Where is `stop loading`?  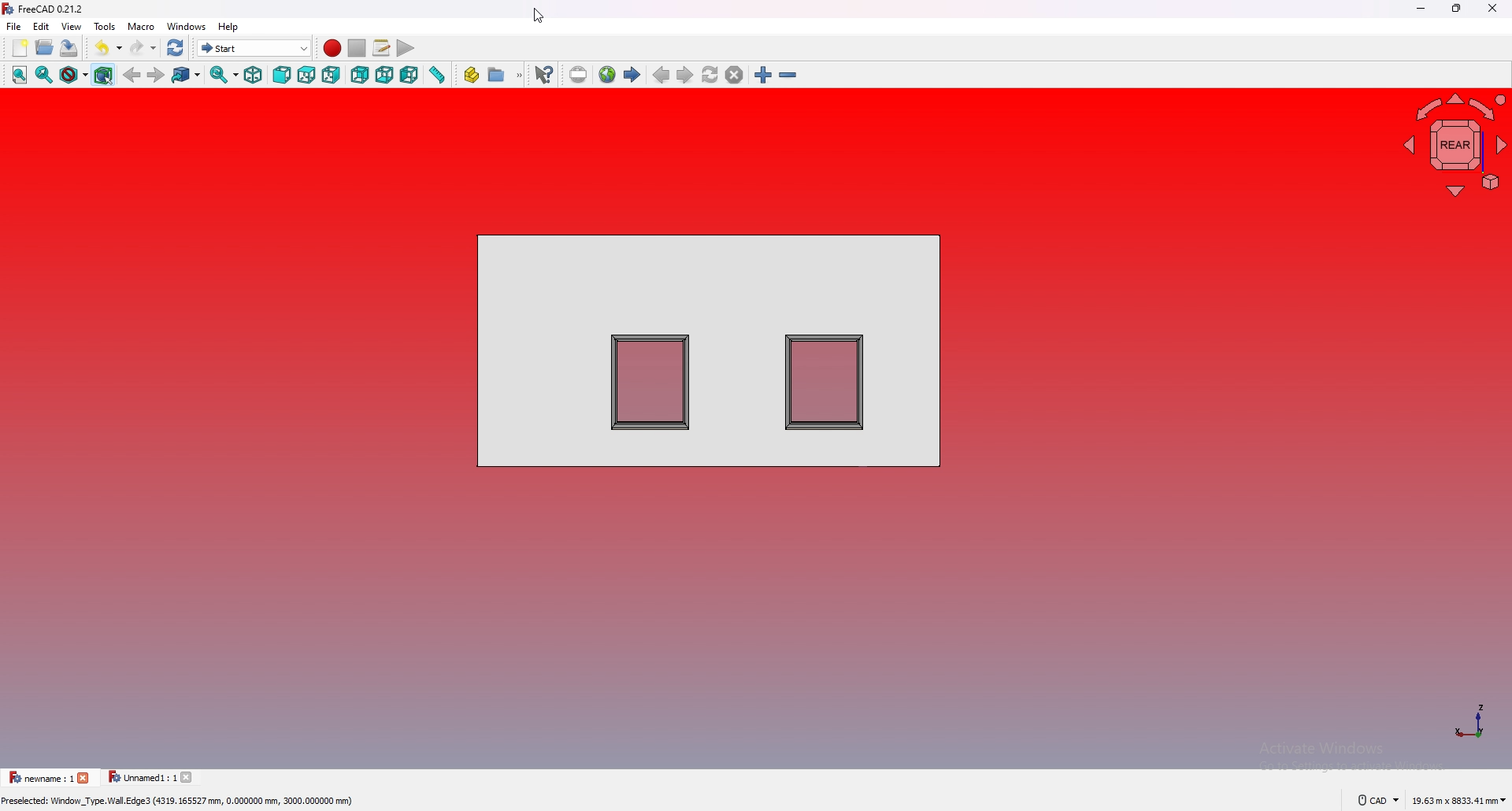 stop loading is located at coordinates (735, 75).